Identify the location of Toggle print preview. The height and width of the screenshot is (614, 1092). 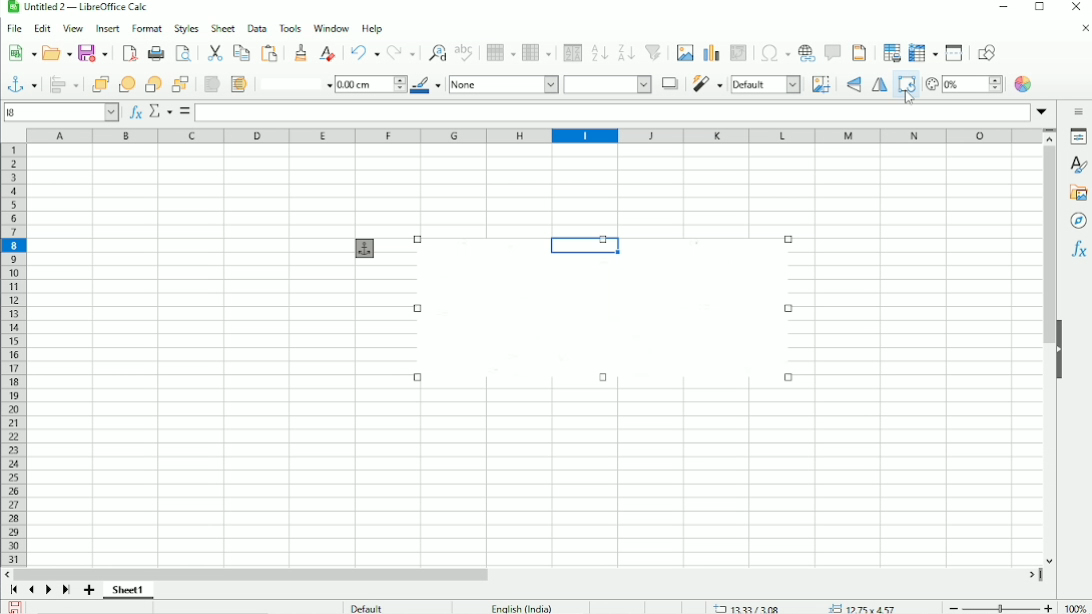
(183, 53).